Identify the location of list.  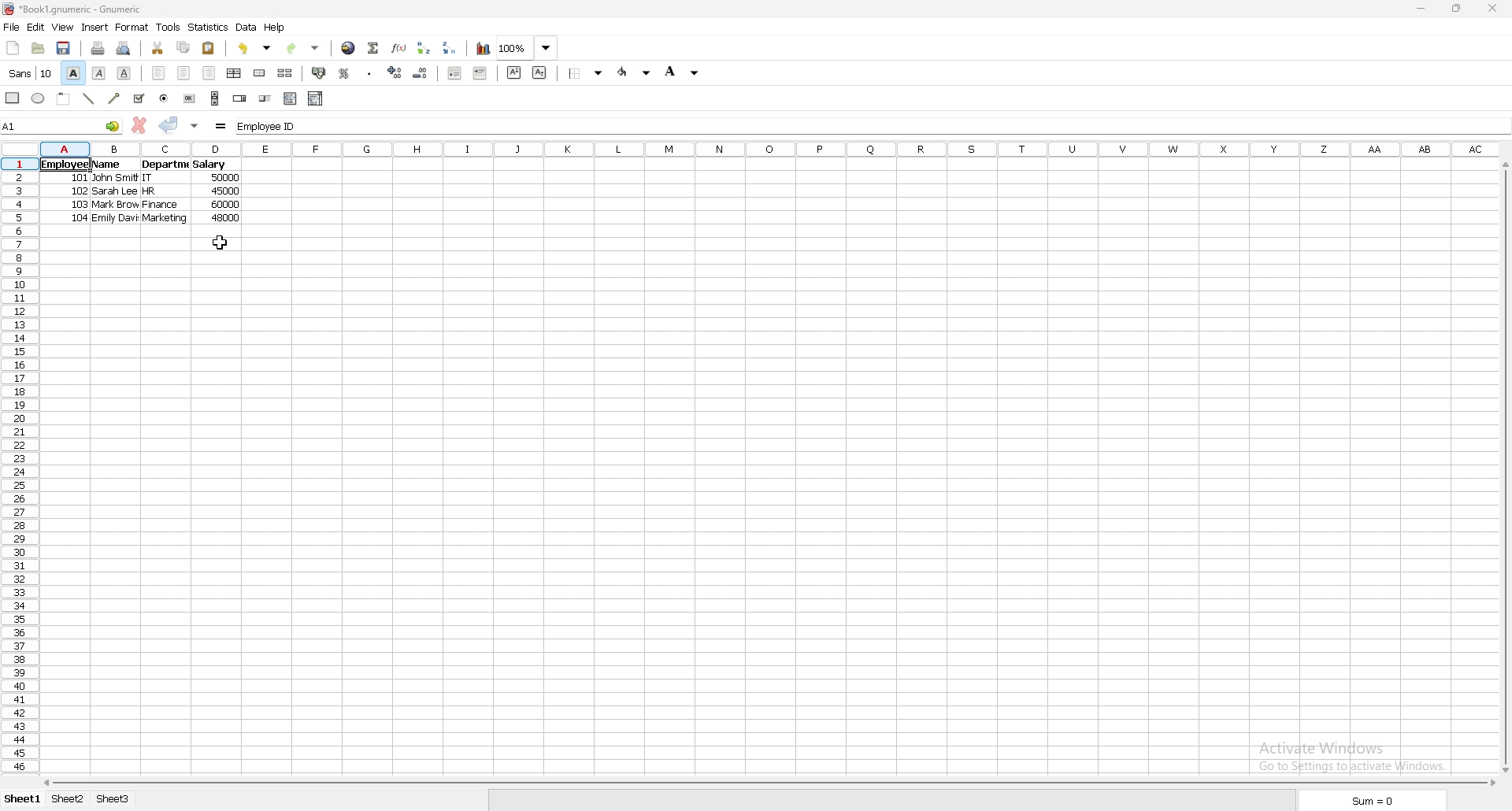
(291, 98).